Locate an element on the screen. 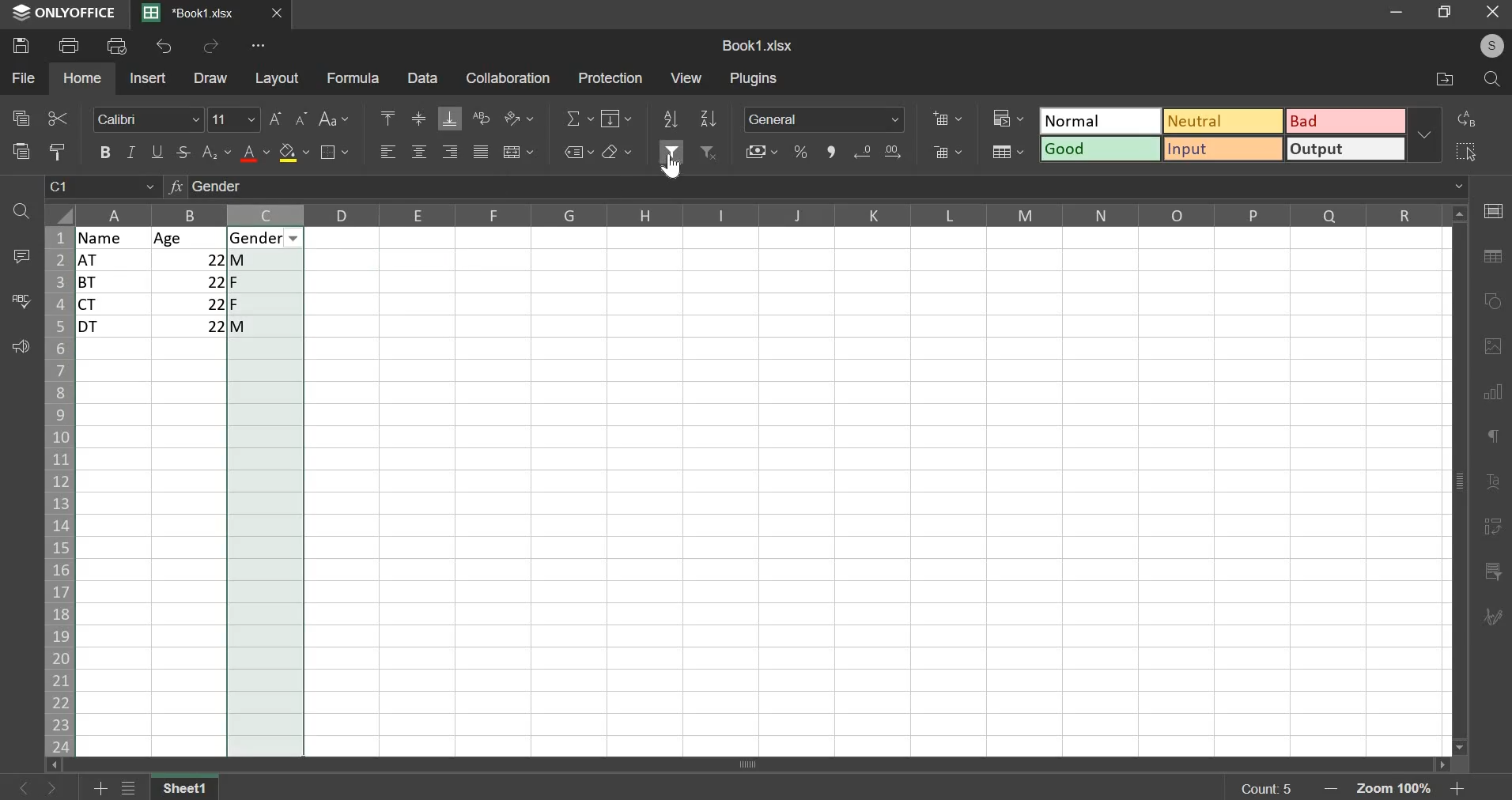 This screenshot has width=1512, height=800. slicer is located at coordinates (1495, 572).